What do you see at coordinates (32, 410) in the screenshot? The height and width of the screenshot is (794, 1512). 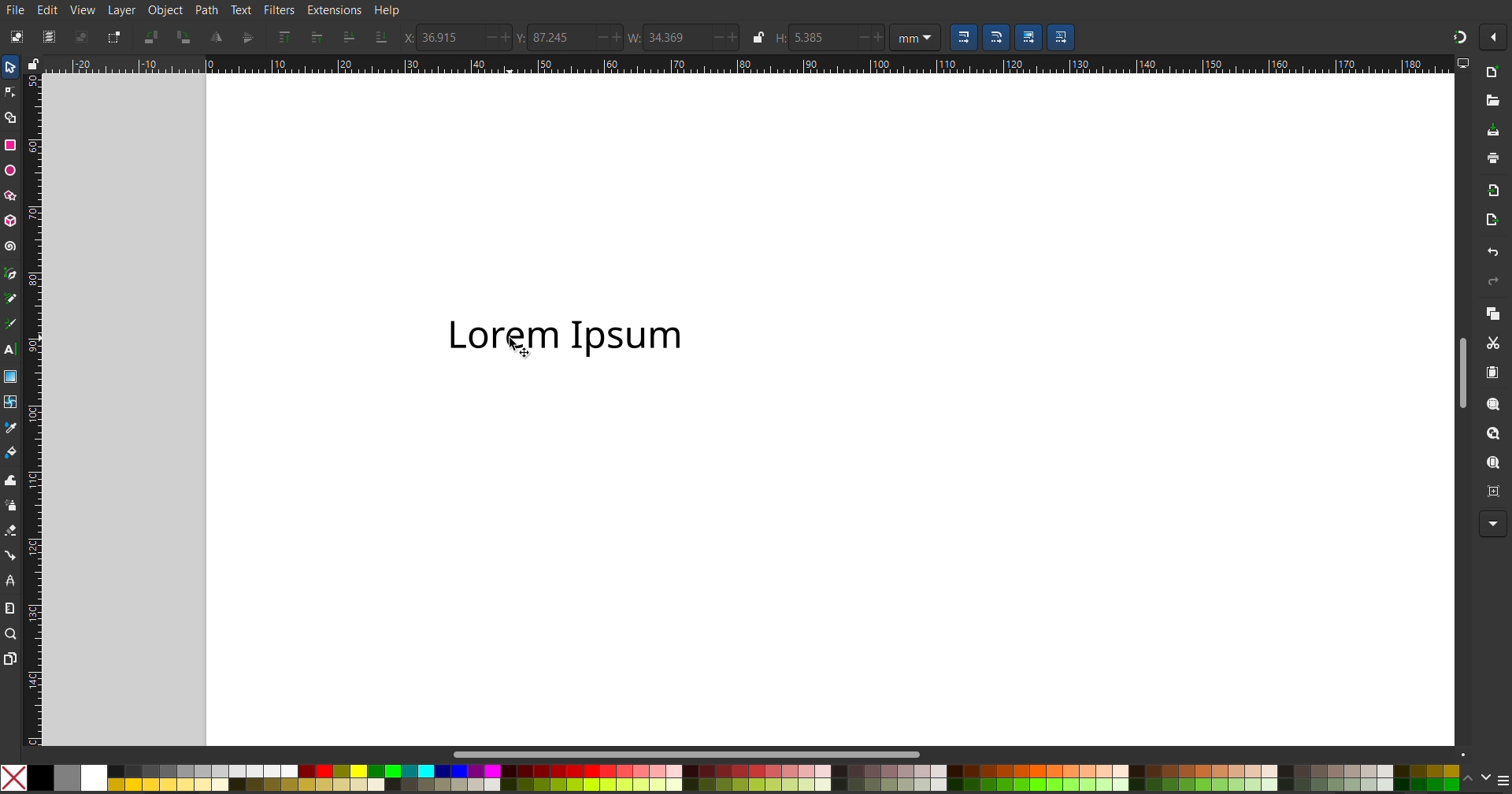 I see `Vertical Ruler` at bounding box center [32, 410].